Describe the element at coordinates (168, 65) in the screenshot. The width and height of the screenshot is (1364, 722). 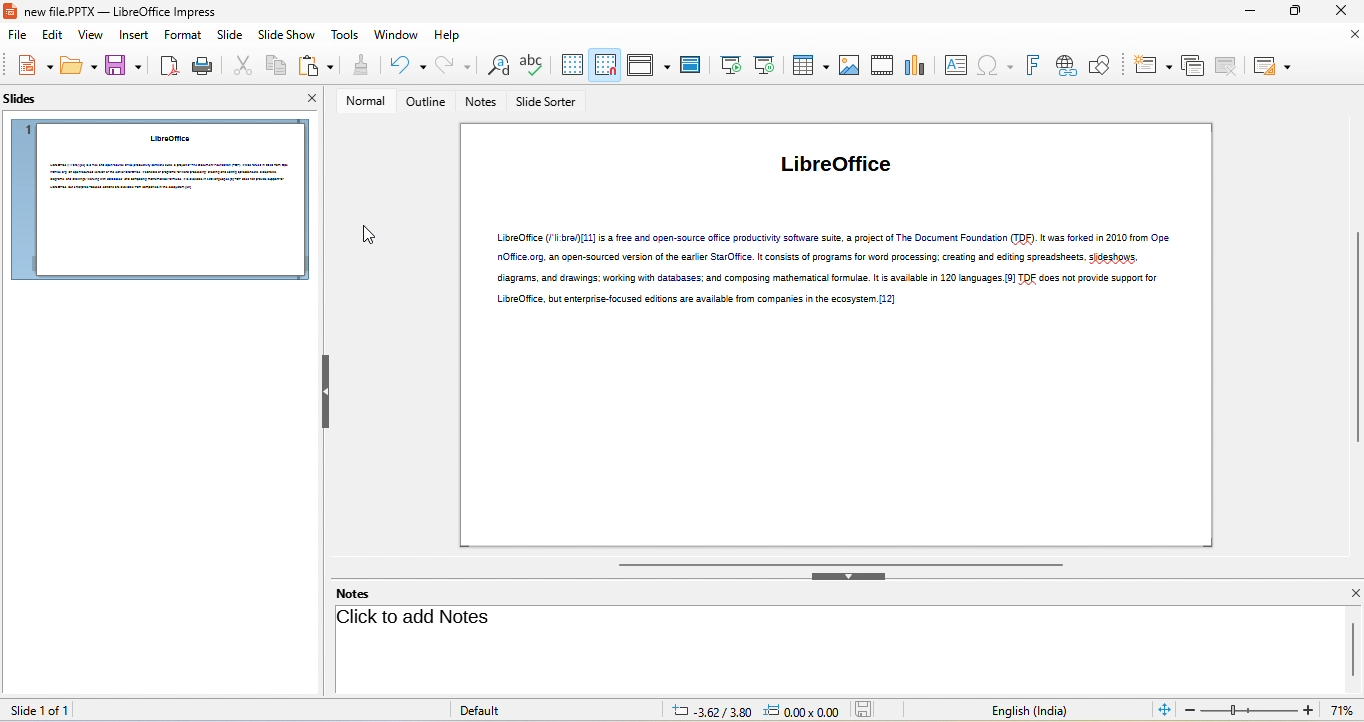
I see `export directly as pdf` at that location.